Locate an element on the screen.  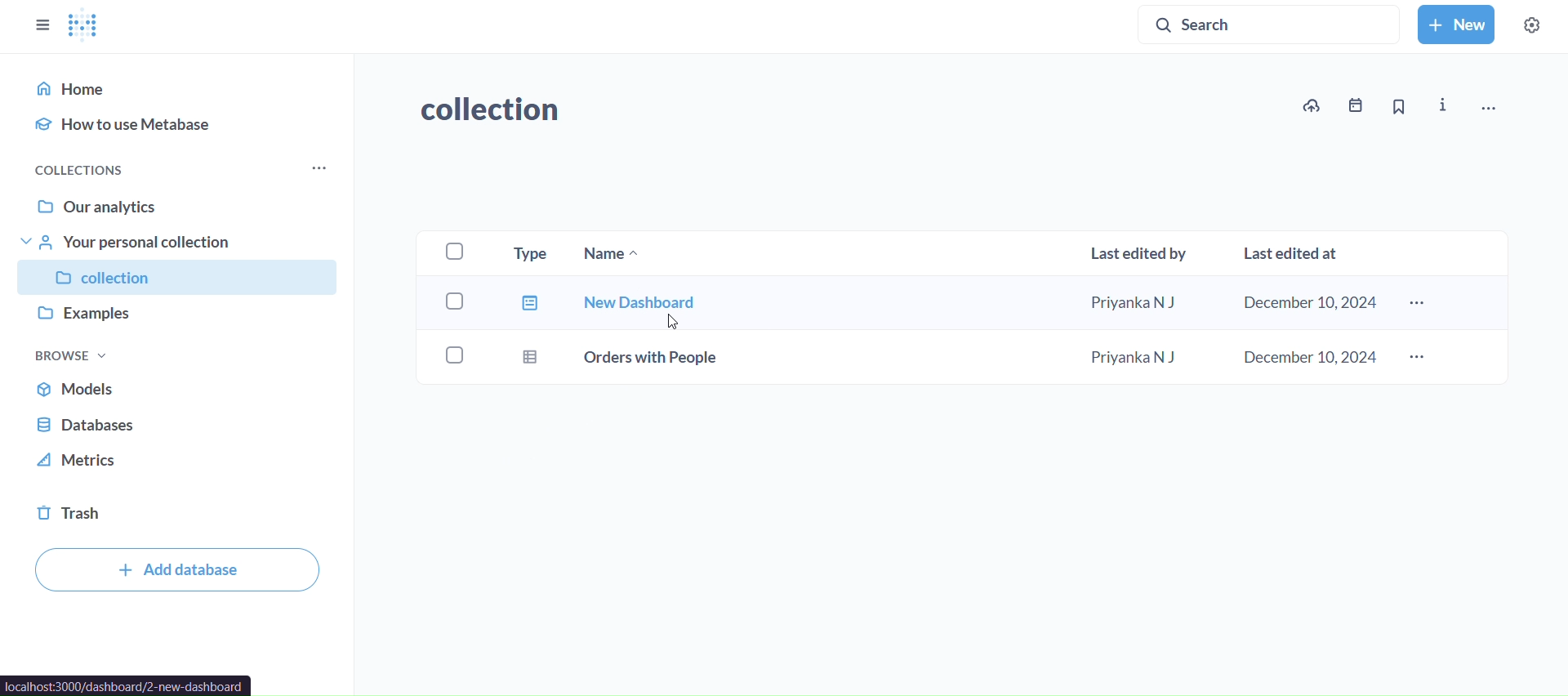
add database is located at coordinates (173, 569).